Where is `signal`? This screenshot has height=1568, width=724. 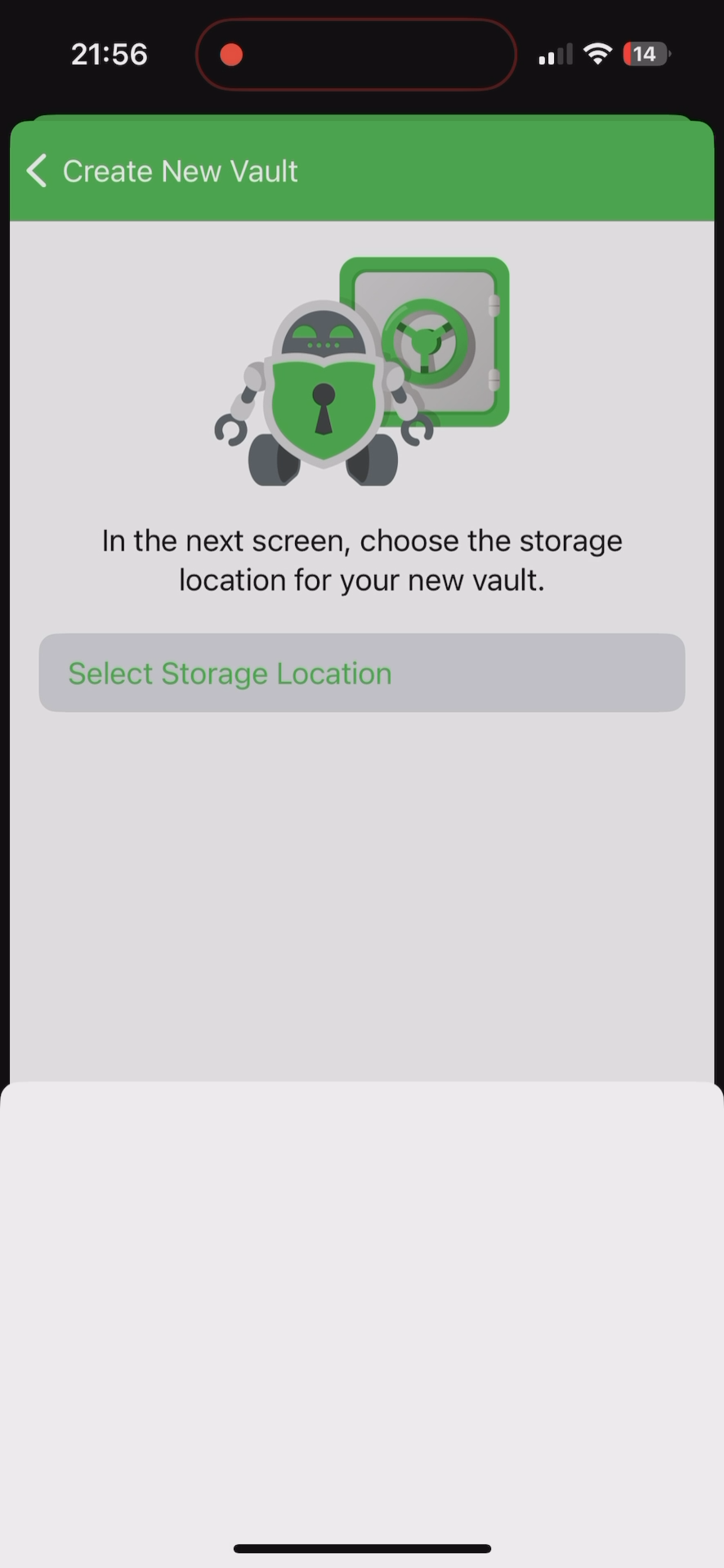
signal is located at coordinates (553, 55).